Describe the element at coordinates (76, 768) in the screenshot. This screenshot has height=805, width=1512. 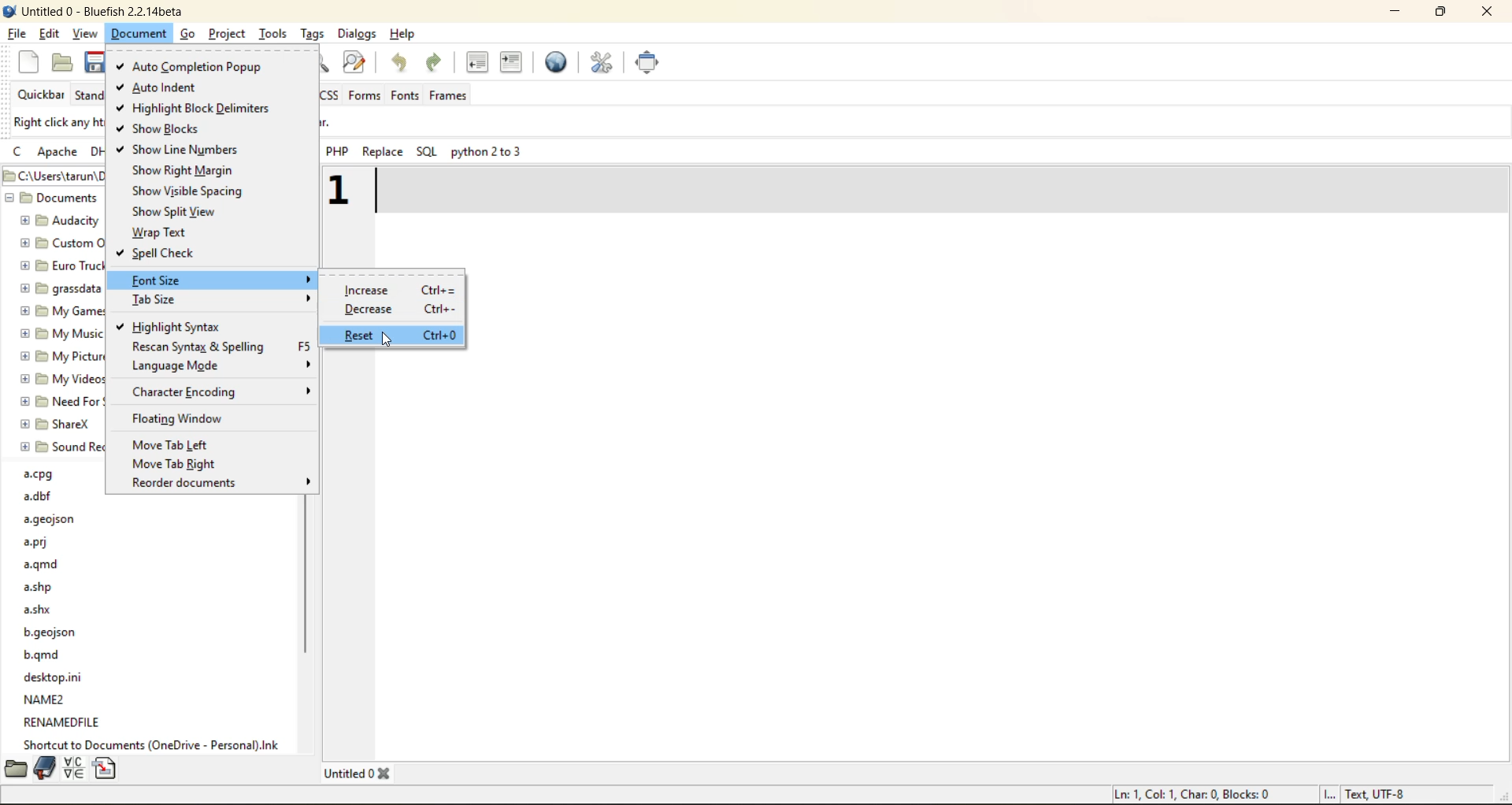
I see `charmap` at that location.